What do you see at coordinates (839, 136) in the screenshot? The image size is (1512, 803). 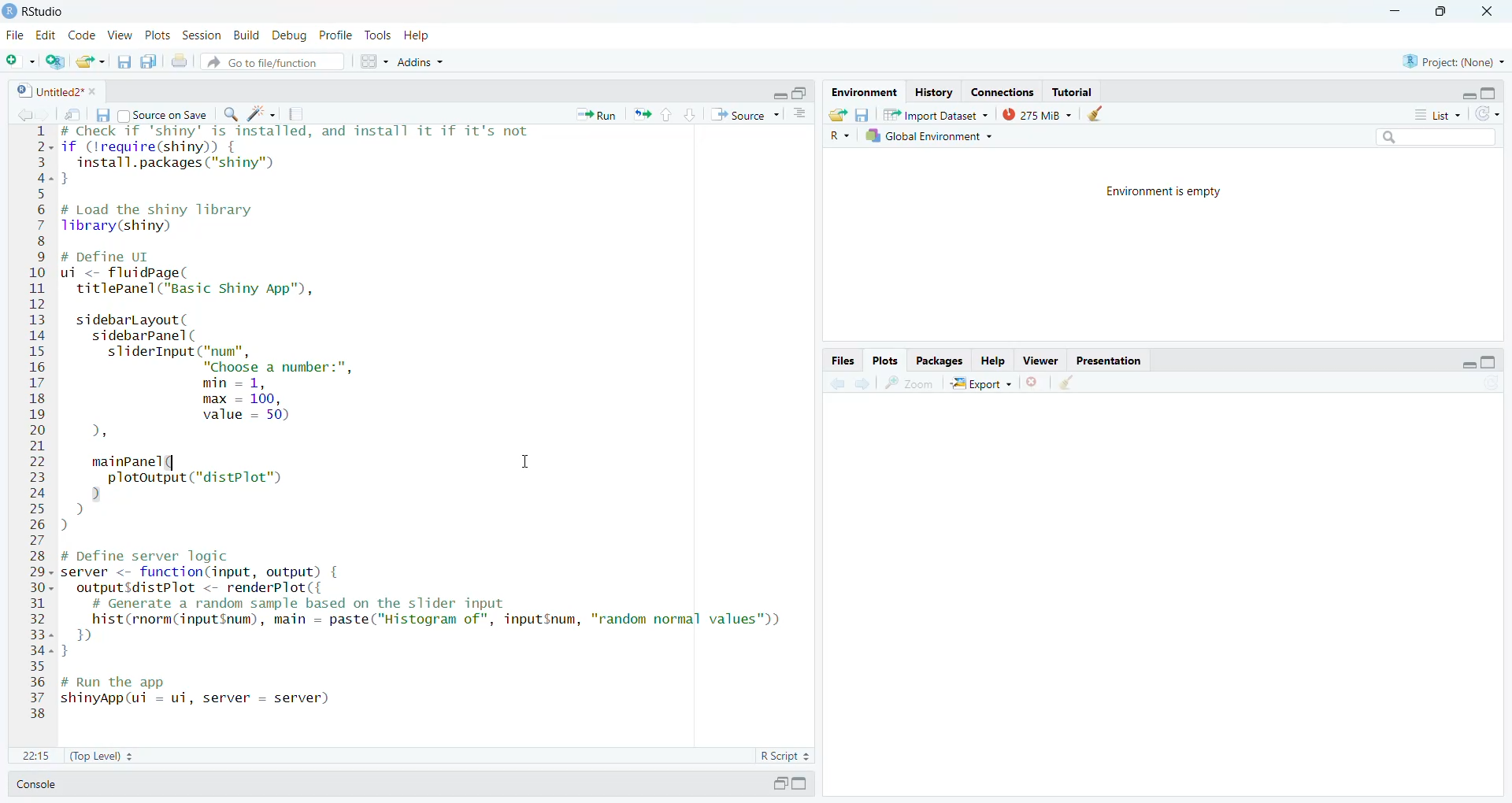 I see `R` at bounding box center [839, 136].